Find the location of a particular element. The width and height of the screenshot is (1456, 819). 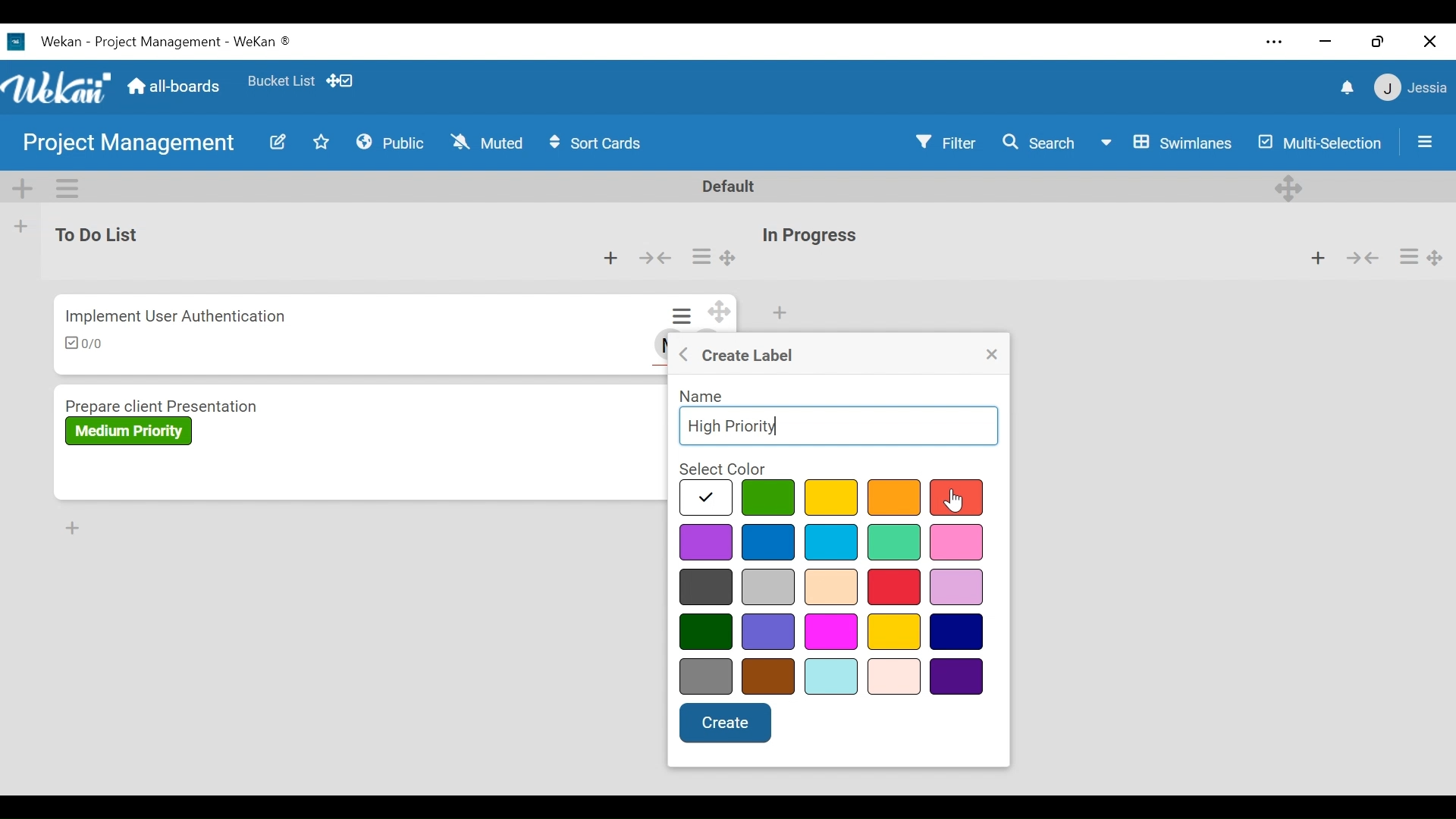

Add card to Bottom of the list is located at coordinates (71, 528).